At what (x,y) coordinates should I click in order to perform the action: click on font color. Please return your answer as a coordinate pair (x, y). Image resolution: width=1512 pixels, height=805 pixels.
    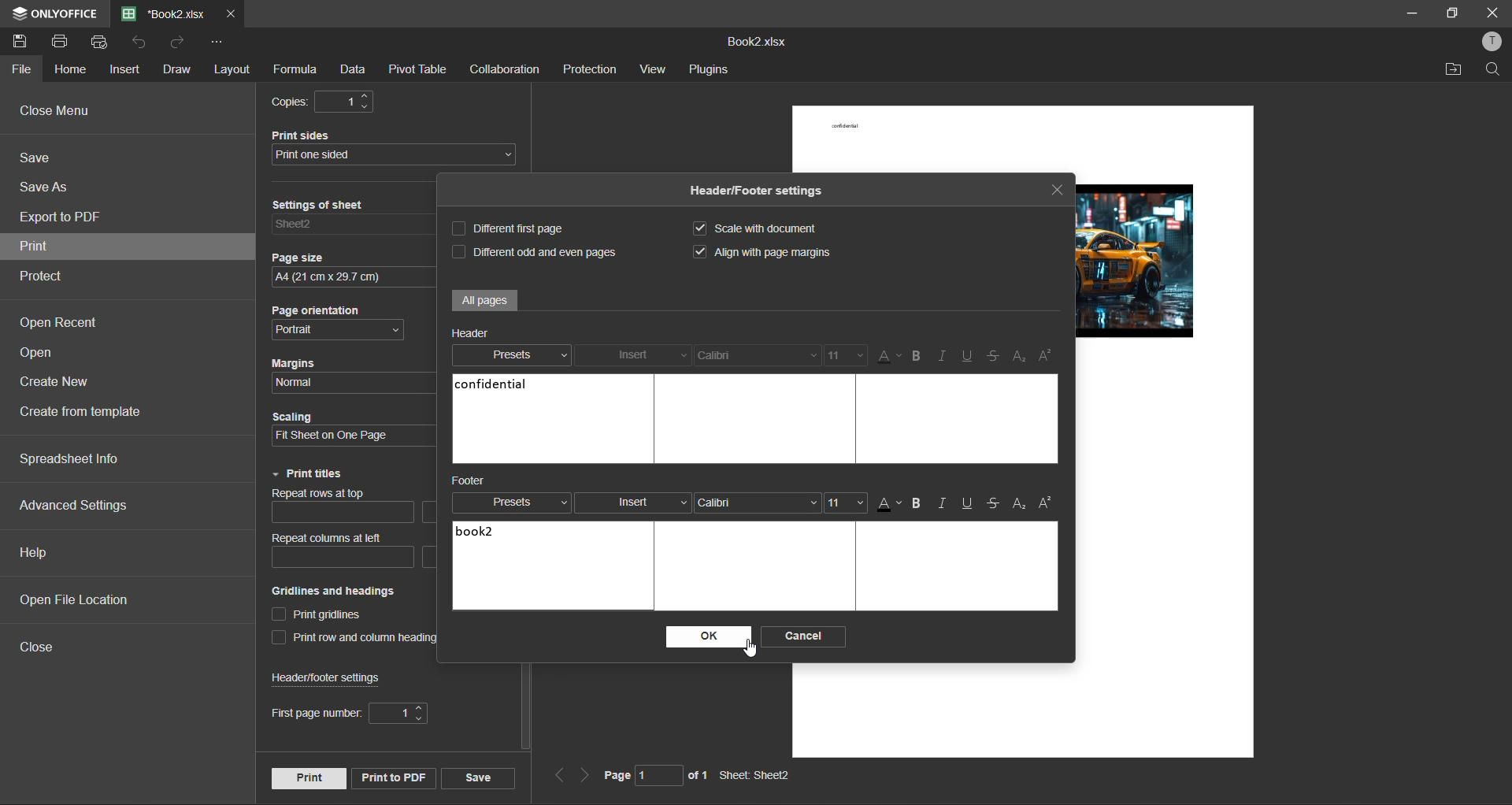
    Looking at the image, I should click on (891, 502).